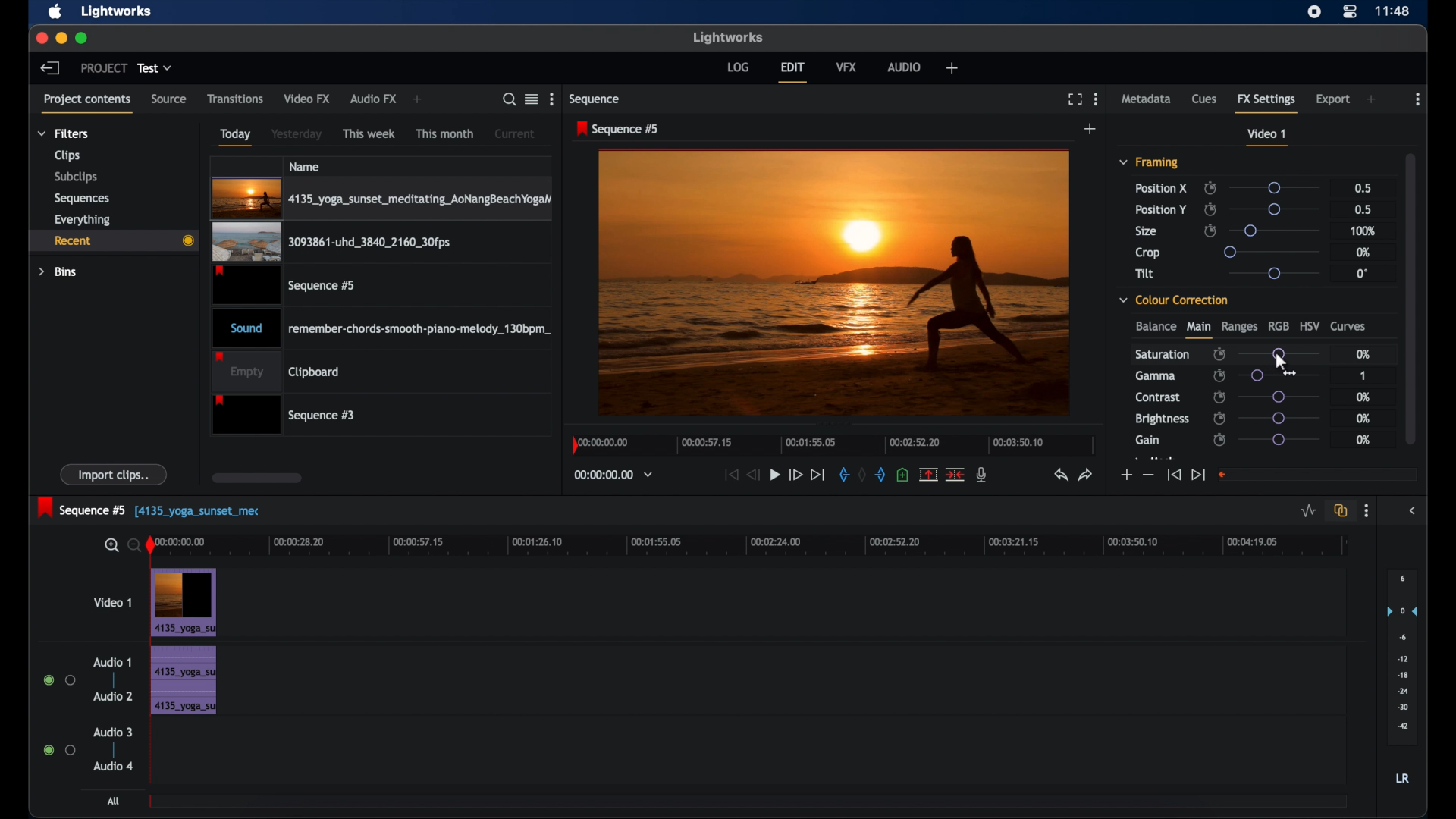 The height and width of the screenshot is (819, 1456). What do you see at coordinates (1086, 475) in the screenshot?
I see `redo` at bounding box center [1086, 475].